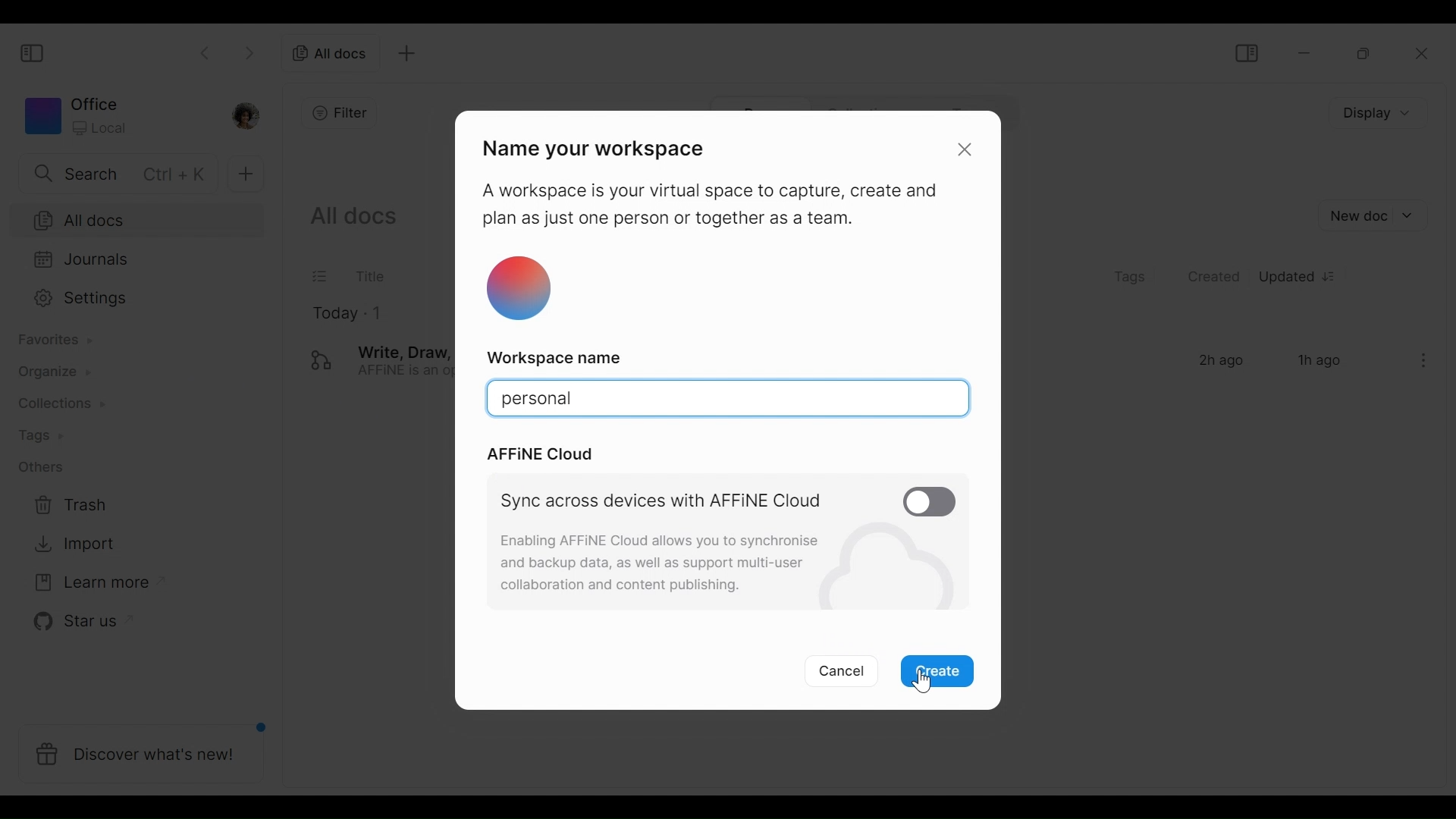  What do you see at coordinates (1244, 51) in the screenshot?
I see `Show/Hide Sidebar` at bounding box center [1244, 51].